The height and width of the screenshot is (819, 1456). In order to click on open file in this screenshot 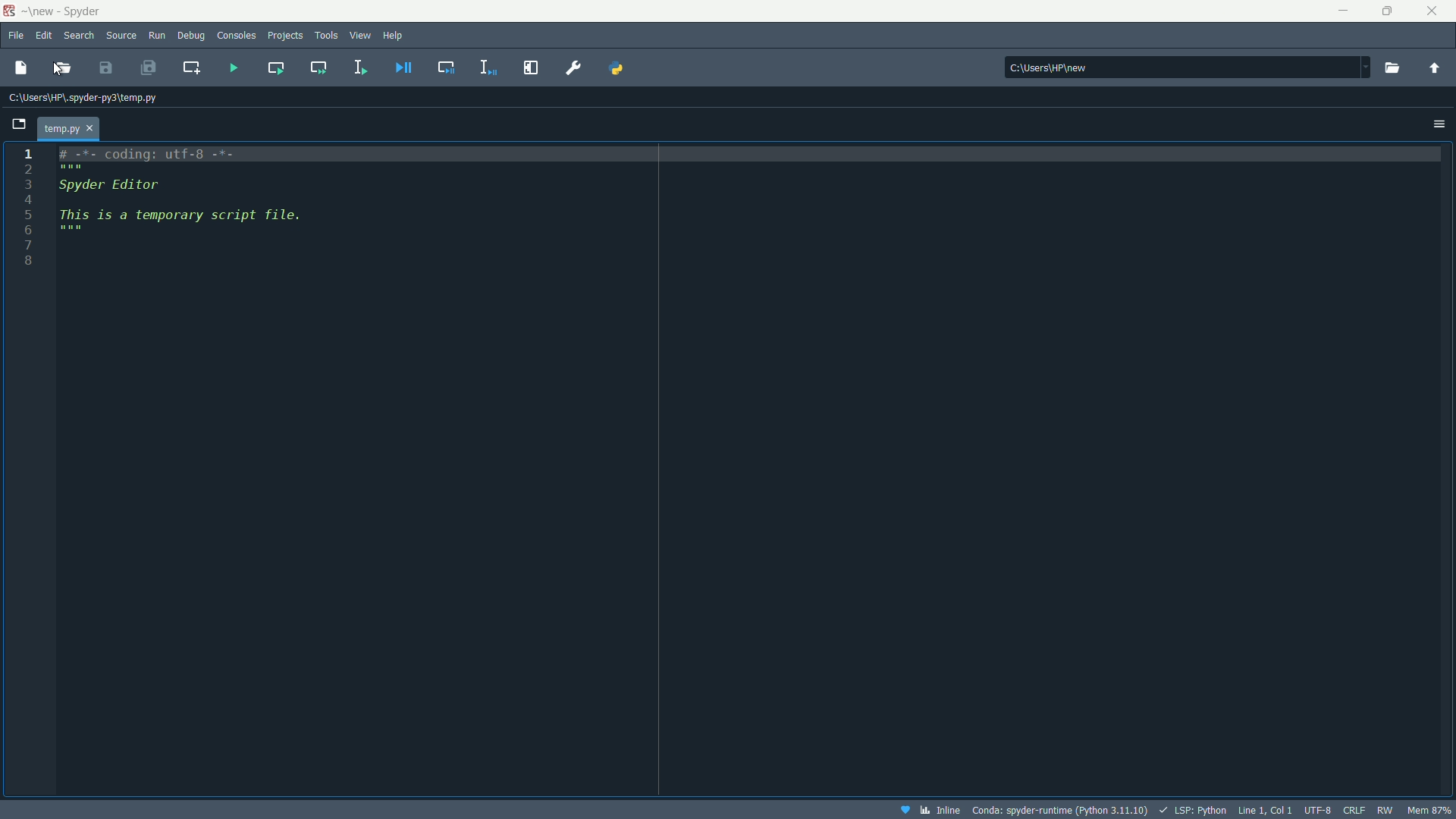, I will do `click(62, 70)`.